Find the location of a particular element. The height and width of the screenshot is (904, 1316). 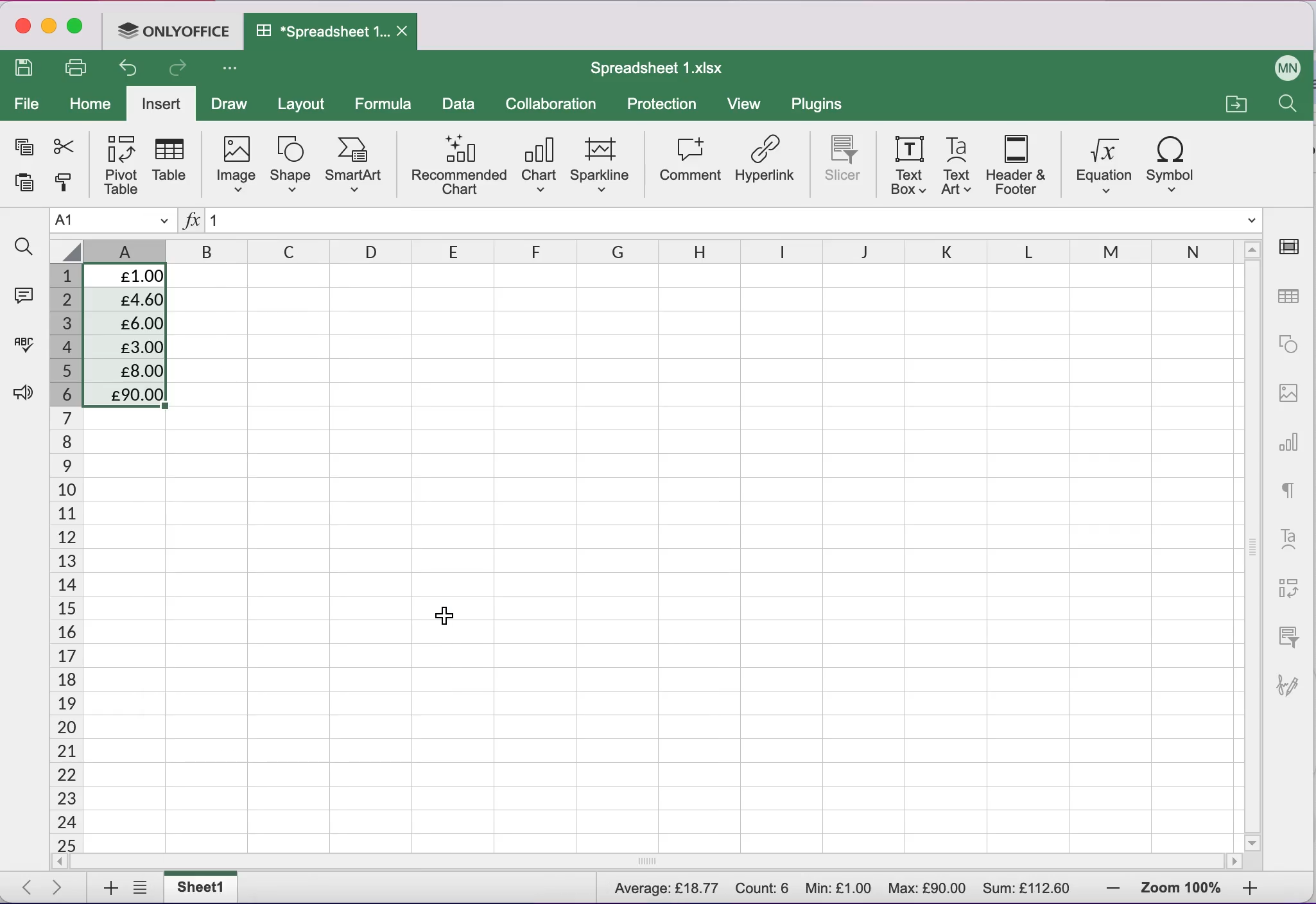

text is located at coordinates (1292, 492).